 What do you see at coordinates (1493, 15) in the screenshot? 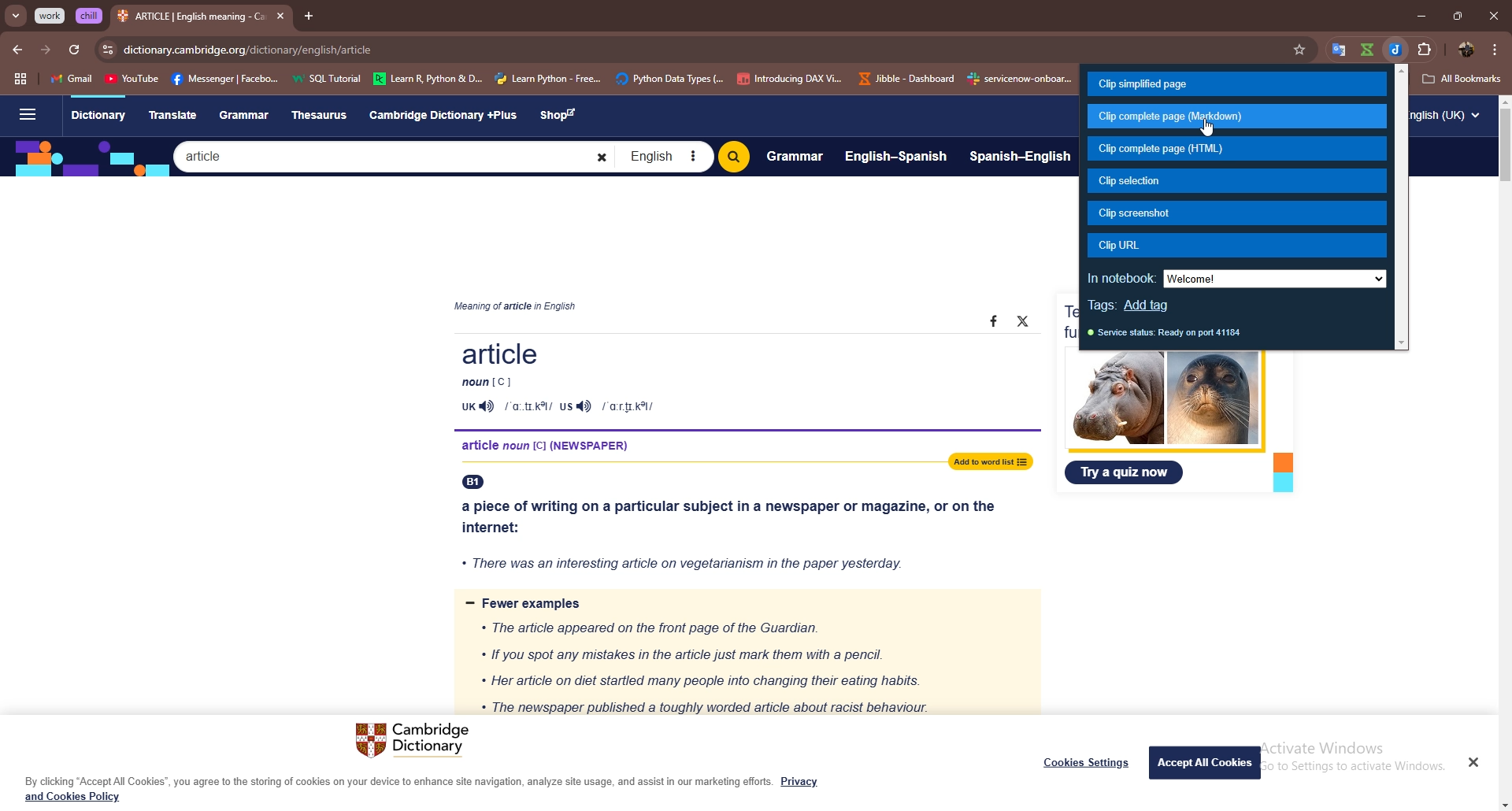
I see `close` at bounding box center [1493, 15].